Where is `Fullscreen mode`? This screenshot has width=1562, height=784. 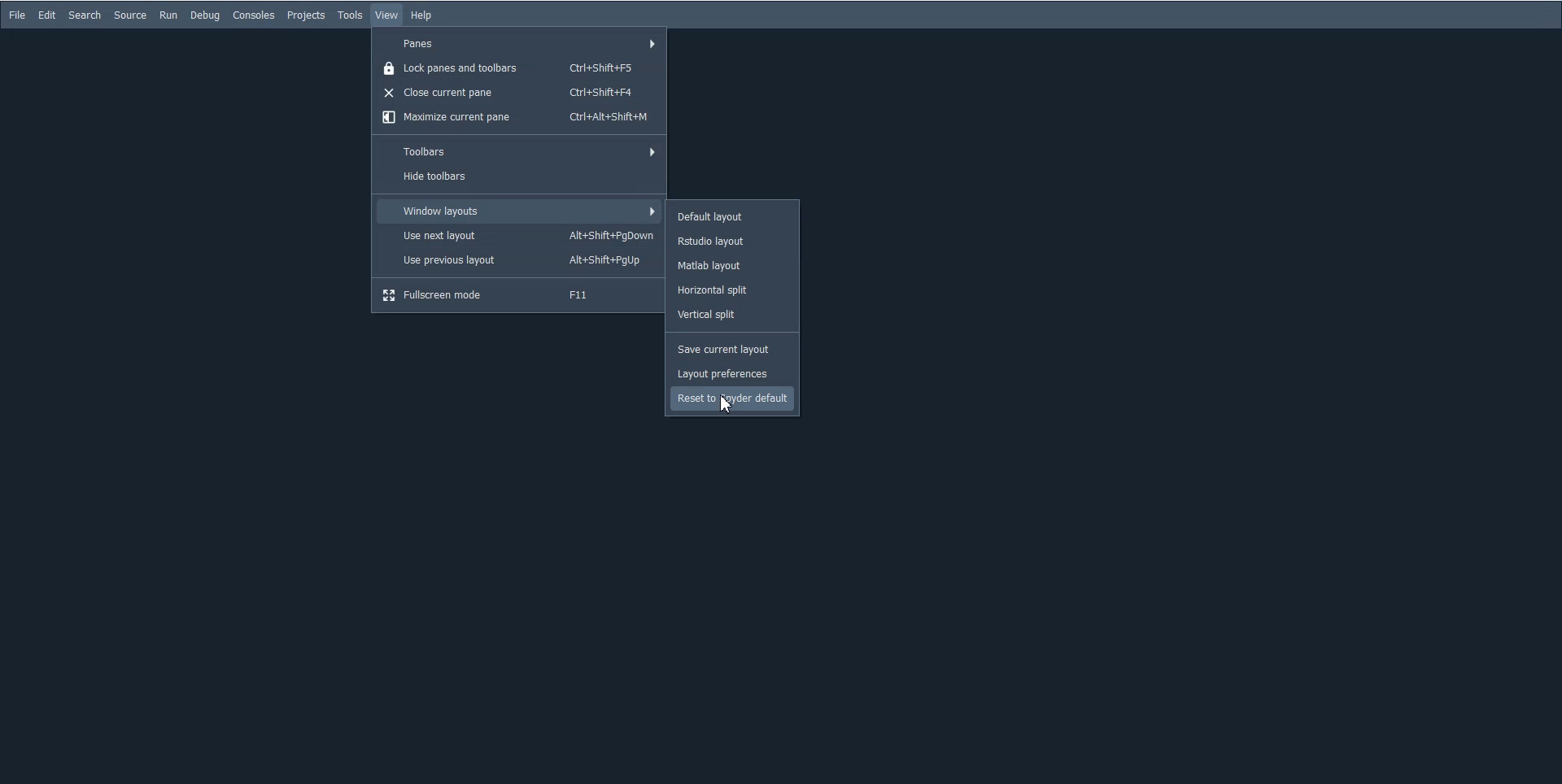 Fullscreen mode is located at coordinates (517, 295).